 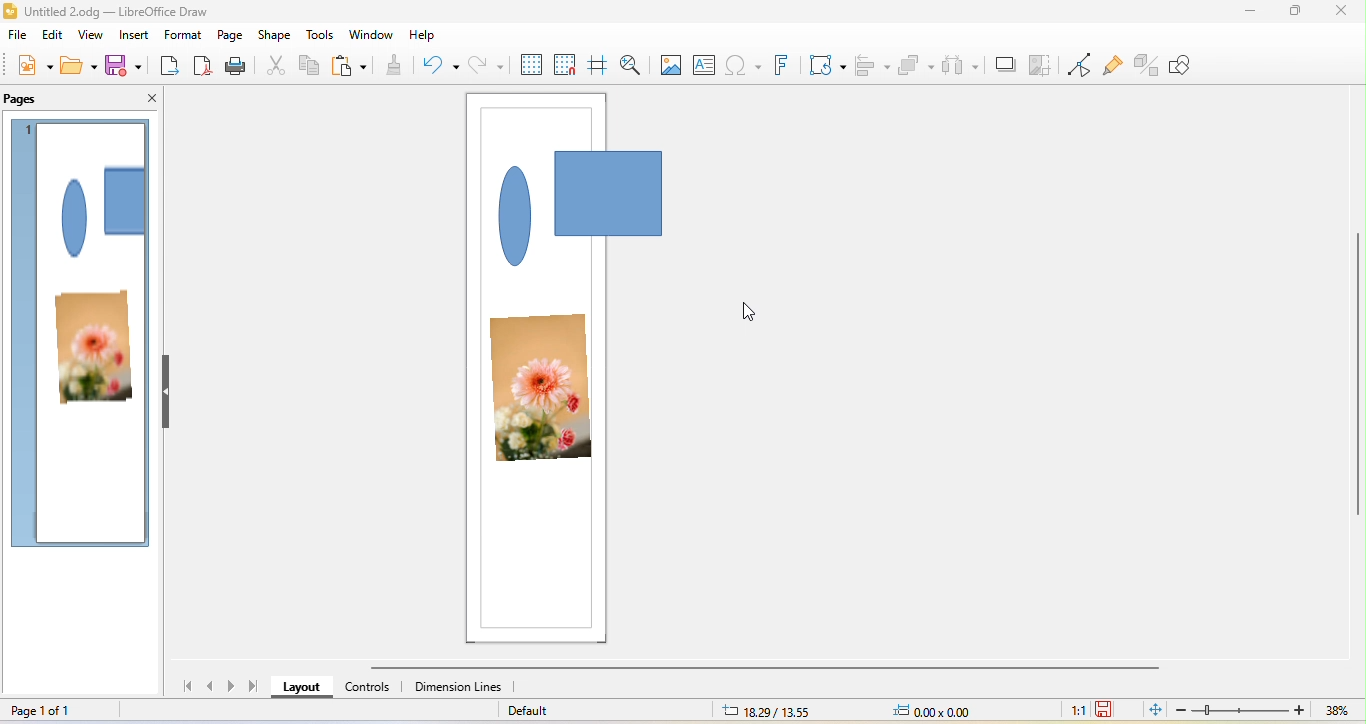 I want to click on image, so click(x=672, y=66).